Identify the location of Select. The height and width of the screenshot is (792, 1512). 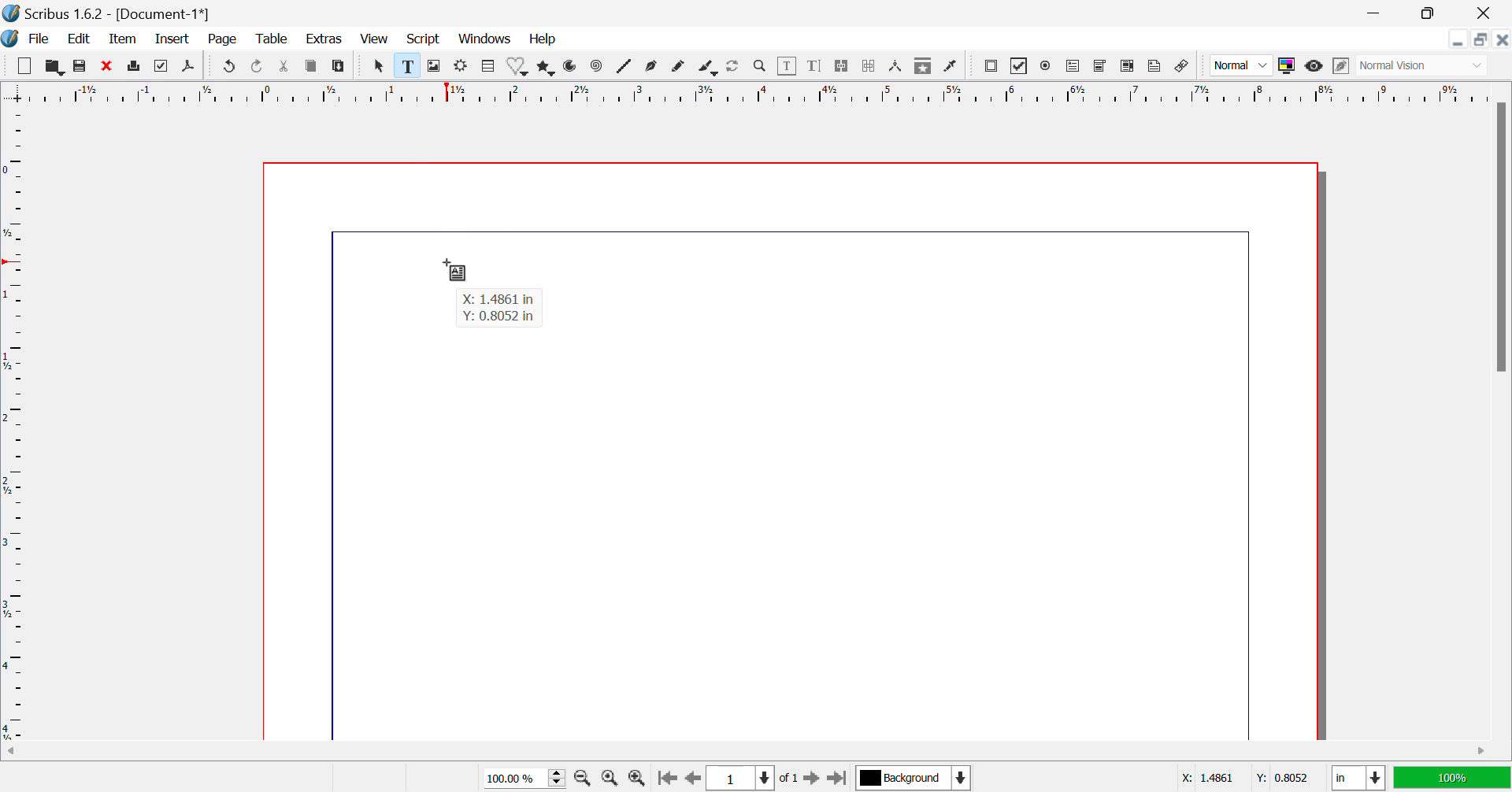
(379, 65).